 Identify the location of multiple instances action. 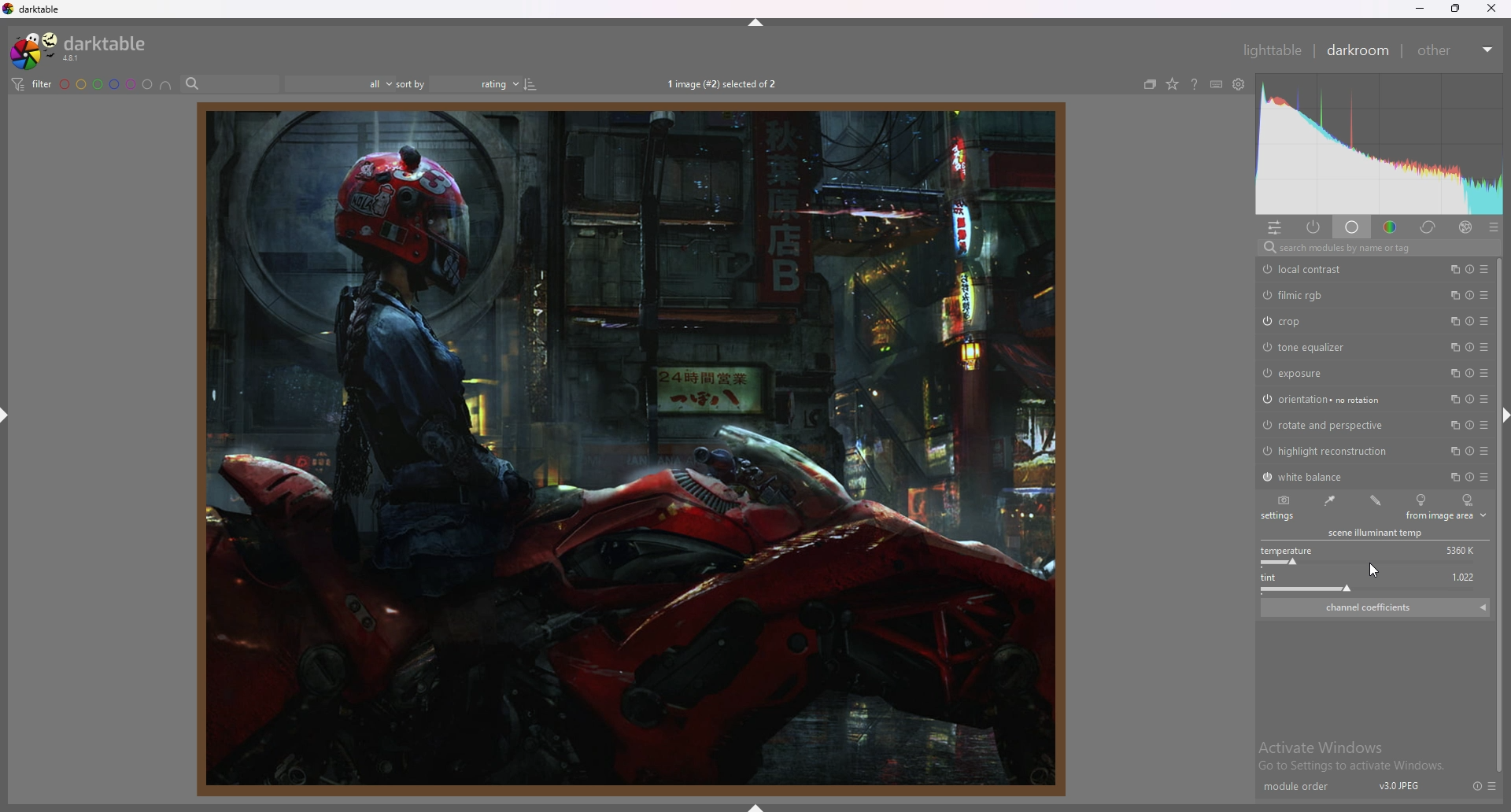
(1452, 347).